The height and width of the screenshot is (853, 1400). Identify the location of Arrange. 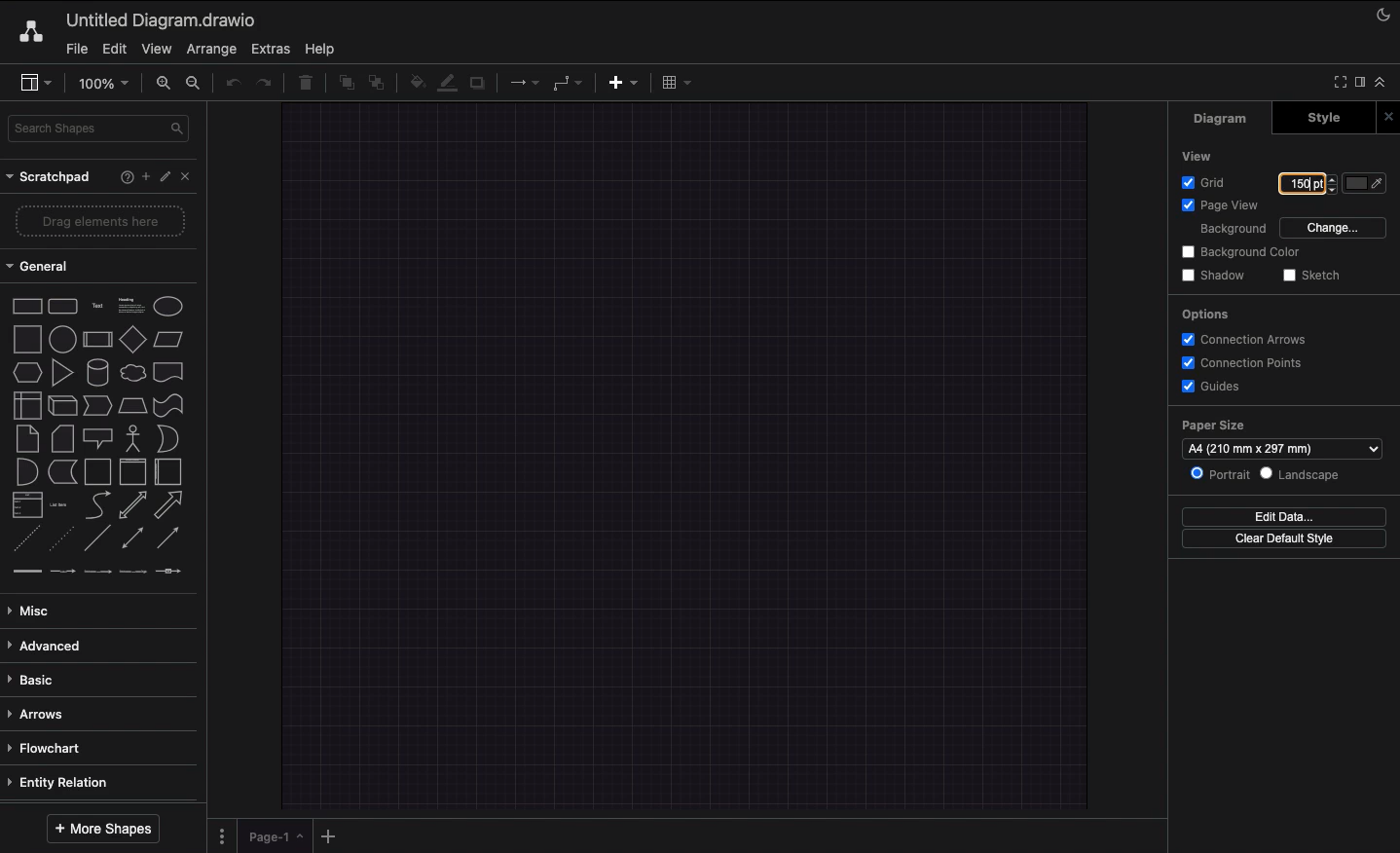
(210, 48).